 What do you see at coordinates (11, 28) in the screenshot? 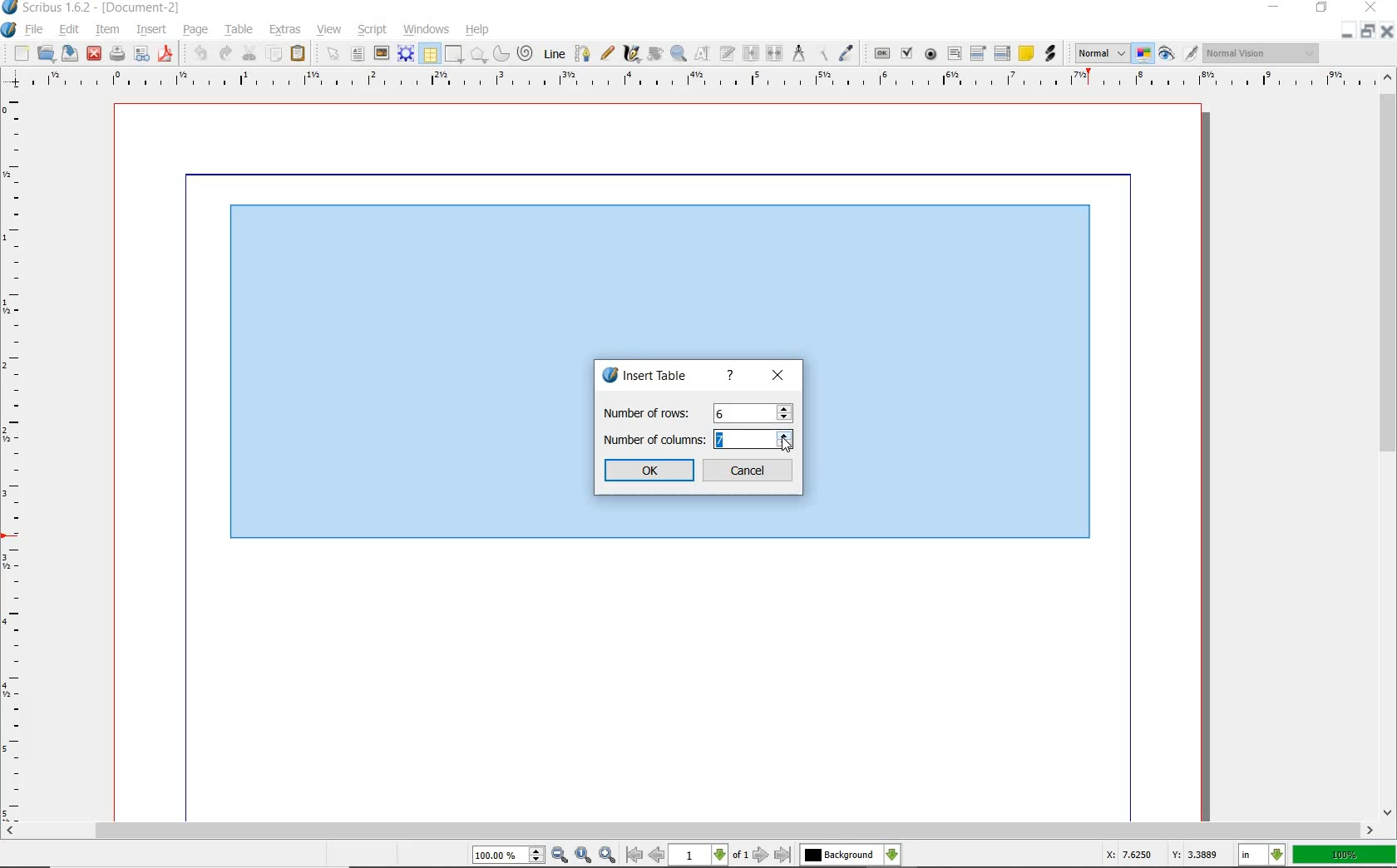
I see `system logo` at bounding box center [11, 28].